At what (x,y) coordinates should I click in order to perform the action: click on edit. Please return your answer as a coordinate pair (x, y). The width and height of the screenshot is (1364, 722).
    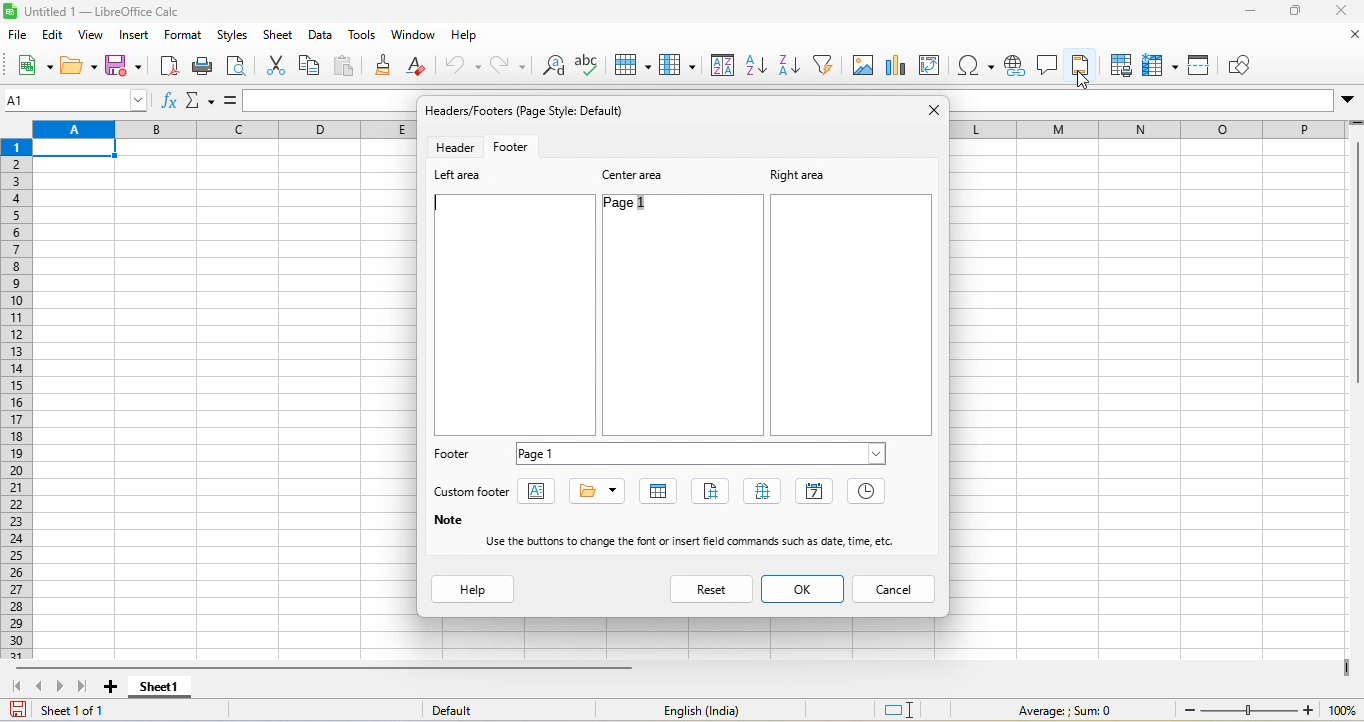
    Looking at the image, I should click on (52, 37).